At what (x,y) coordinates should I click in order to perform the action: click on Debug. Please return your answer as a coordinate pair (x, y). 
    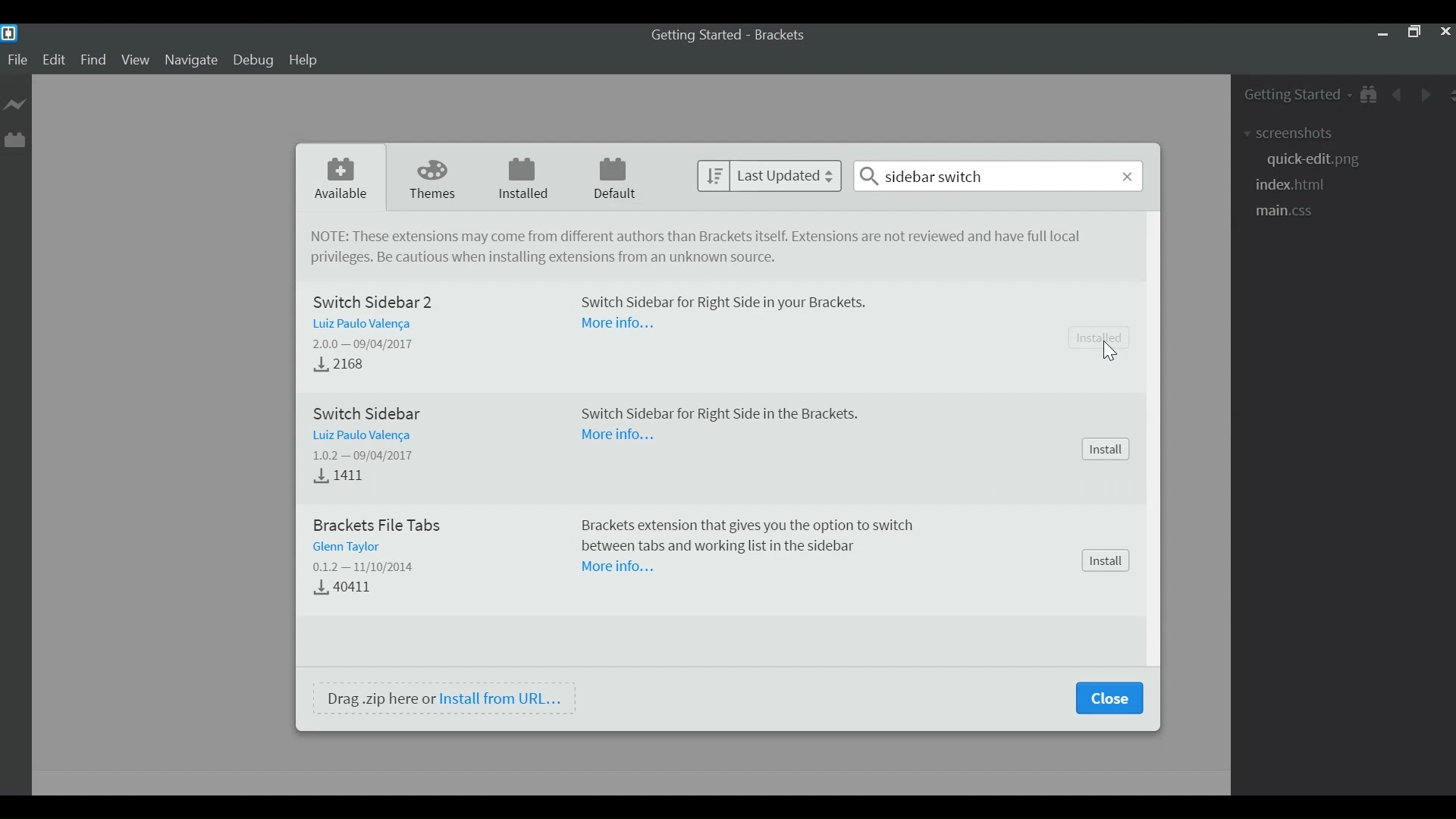
    Looking at the image, I should click on (254, 61).